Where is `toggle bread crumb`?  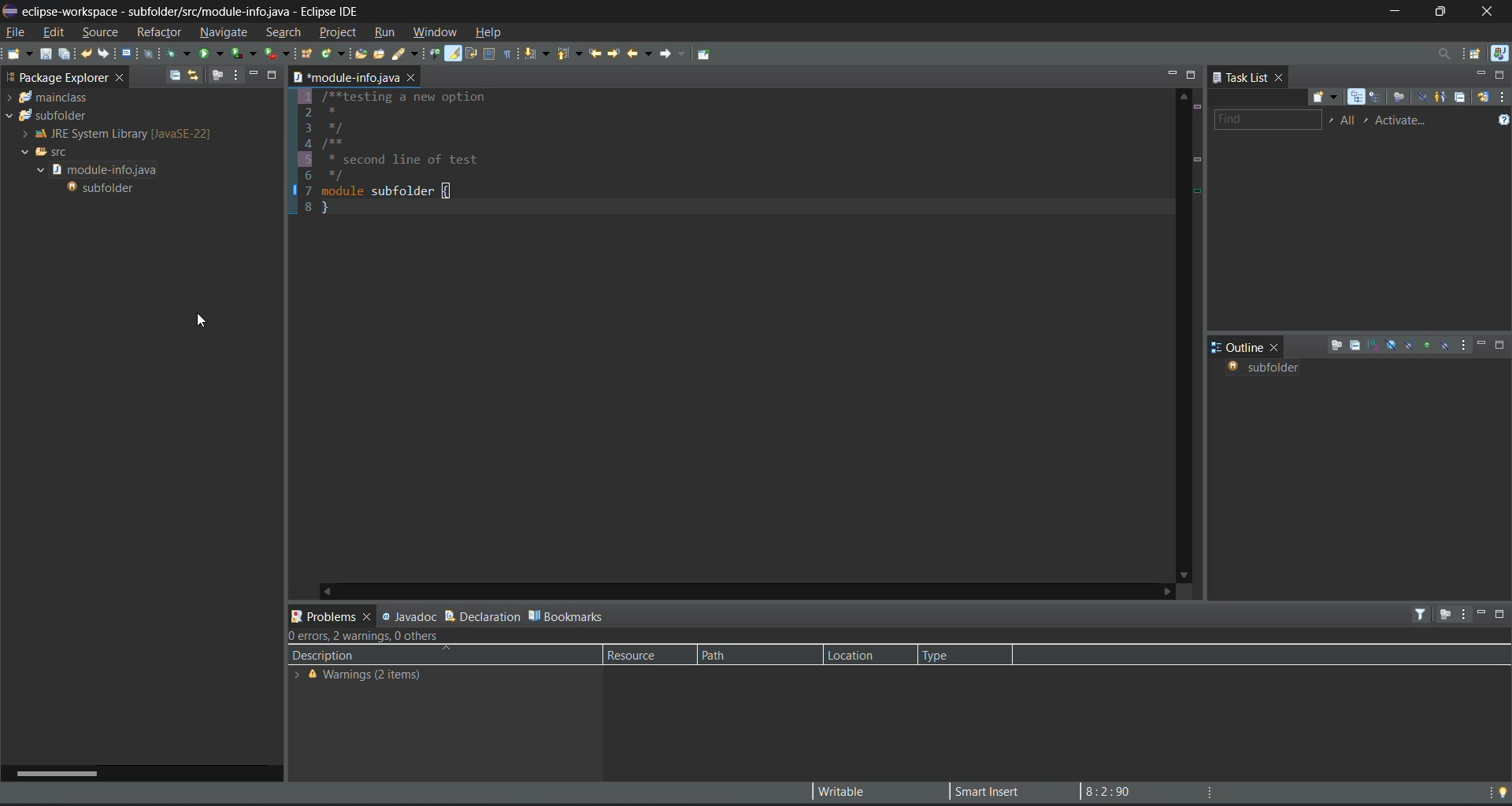 toggle bread crumb is located at coordinates (436, 54).